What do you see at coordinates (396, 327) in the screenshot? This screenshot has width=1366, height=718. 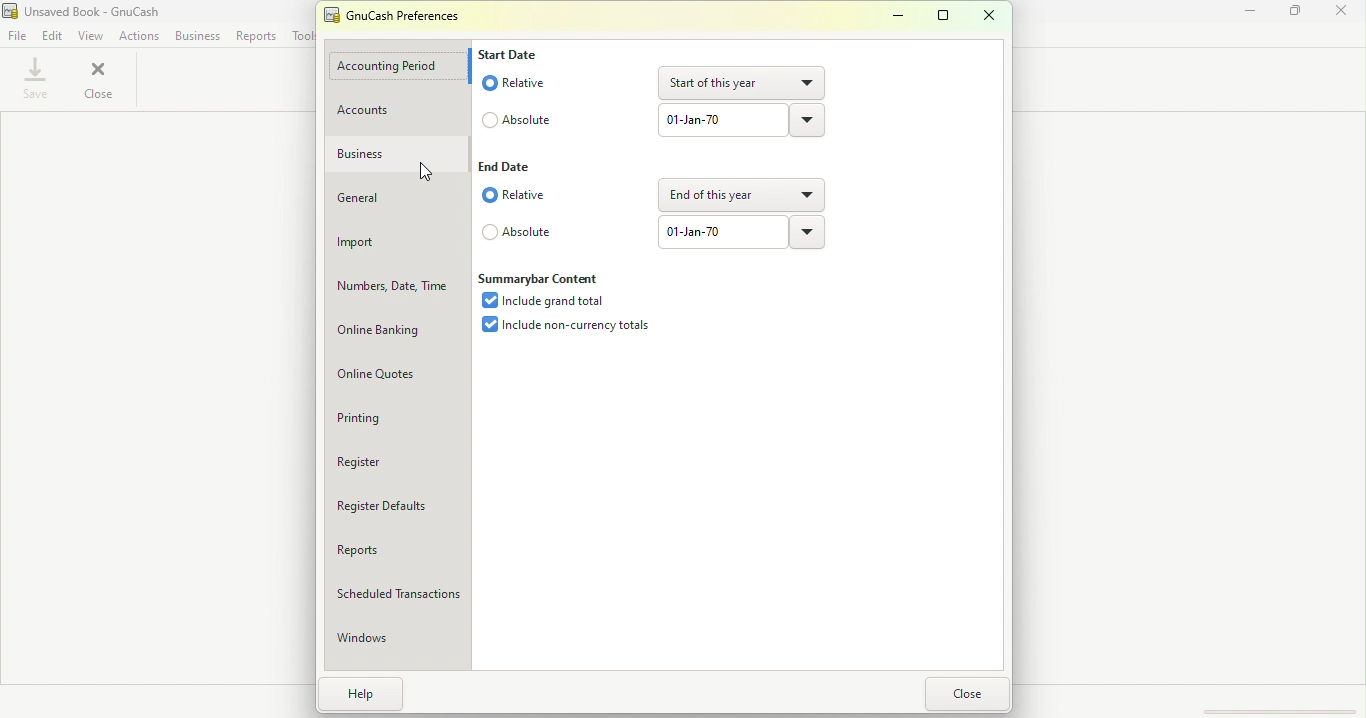 I see `Online Banking` at bounding box center [396, 327].